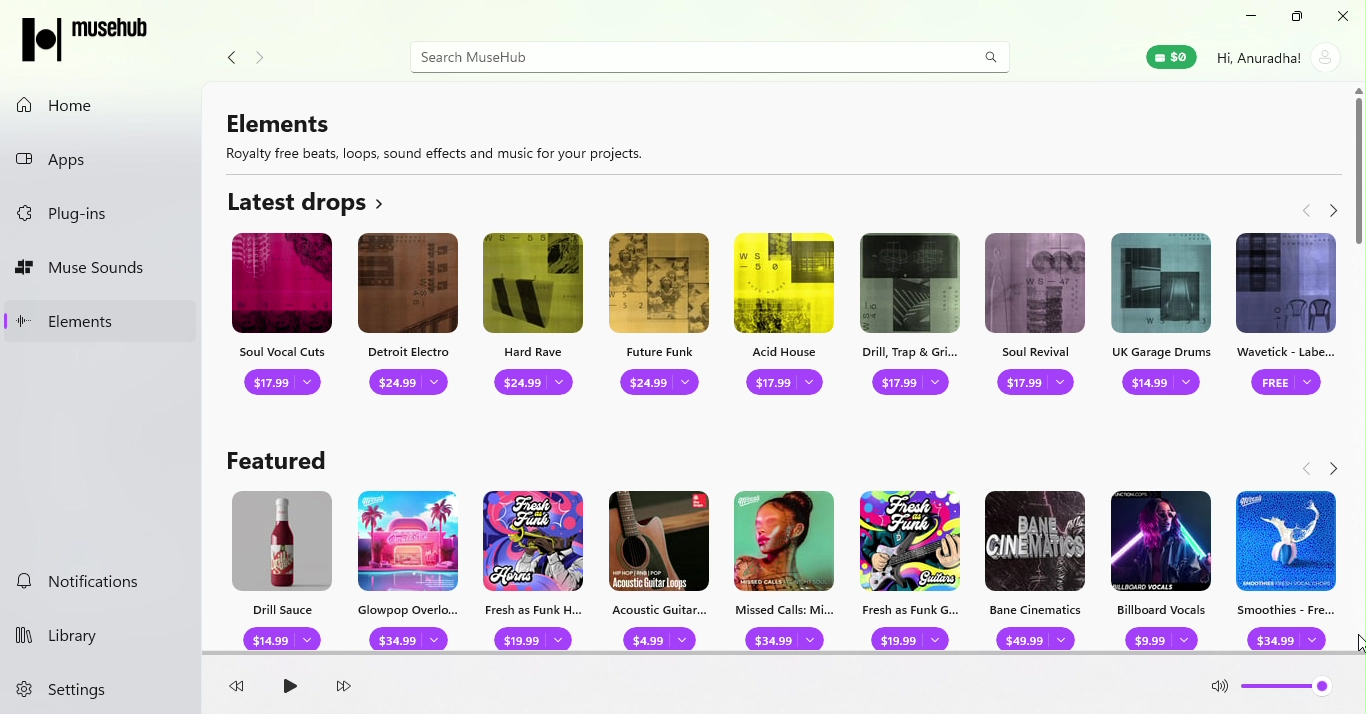 This screenshot has height=714, width=1366. Describe the element at coordinates (1277, 57) in the screenshot. I see `Account` at that location.